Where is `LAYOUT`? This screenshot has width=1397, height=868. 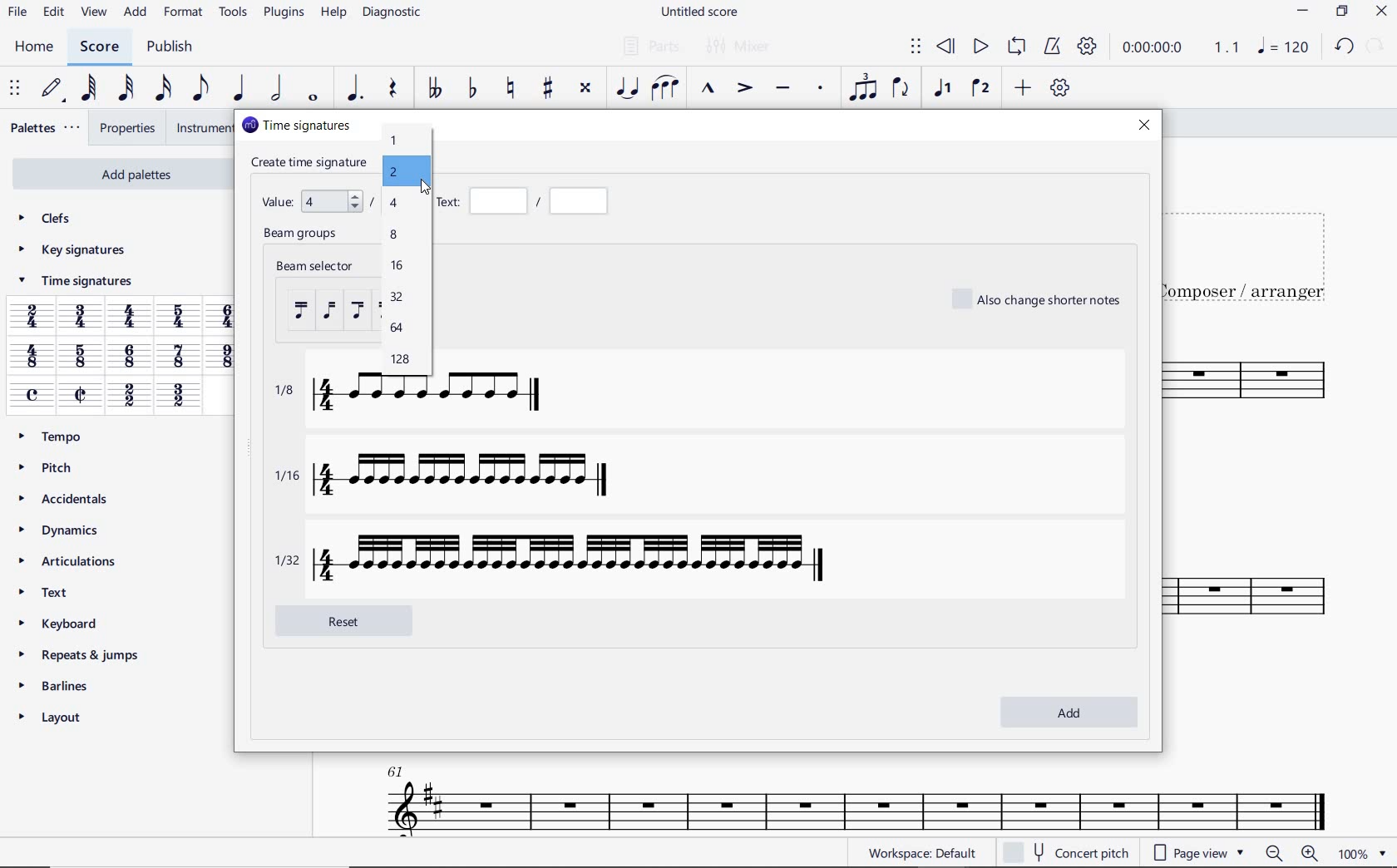 LAYOUT is located at coordinates (56, 717).